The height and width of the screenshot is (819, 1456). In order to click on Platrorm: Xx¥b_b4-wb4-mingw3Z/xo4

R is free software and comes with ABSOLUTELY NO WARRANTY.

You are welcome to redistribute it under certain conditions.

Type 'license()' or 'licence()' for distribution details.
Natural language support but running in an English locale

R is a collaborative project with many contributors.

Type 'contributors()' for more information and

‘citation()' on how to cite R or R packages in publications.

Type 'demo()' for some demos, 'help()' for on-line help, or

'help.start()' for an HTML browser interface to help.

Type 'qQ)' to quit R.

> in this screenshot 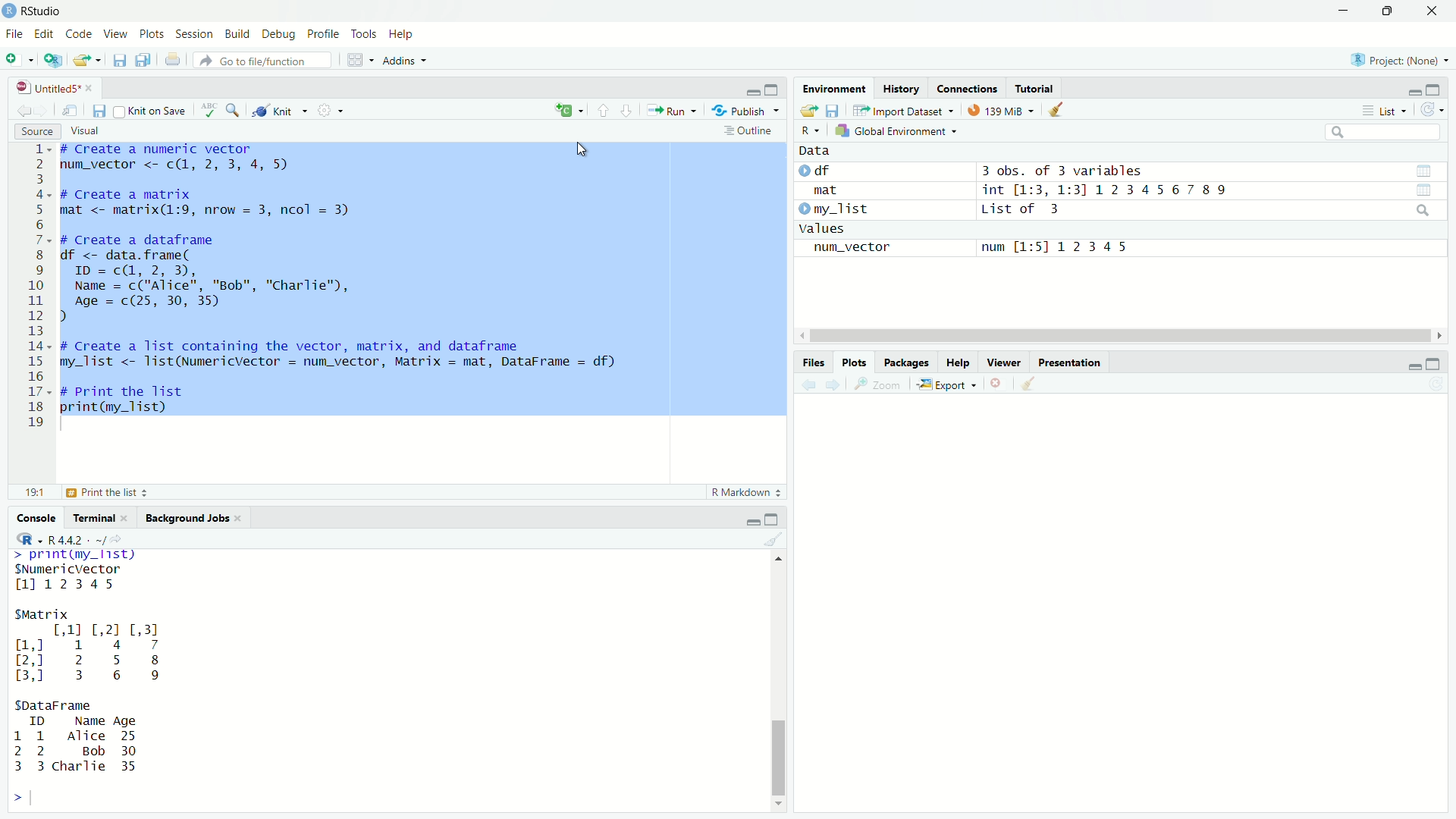, I will do `click(285, 679)`.